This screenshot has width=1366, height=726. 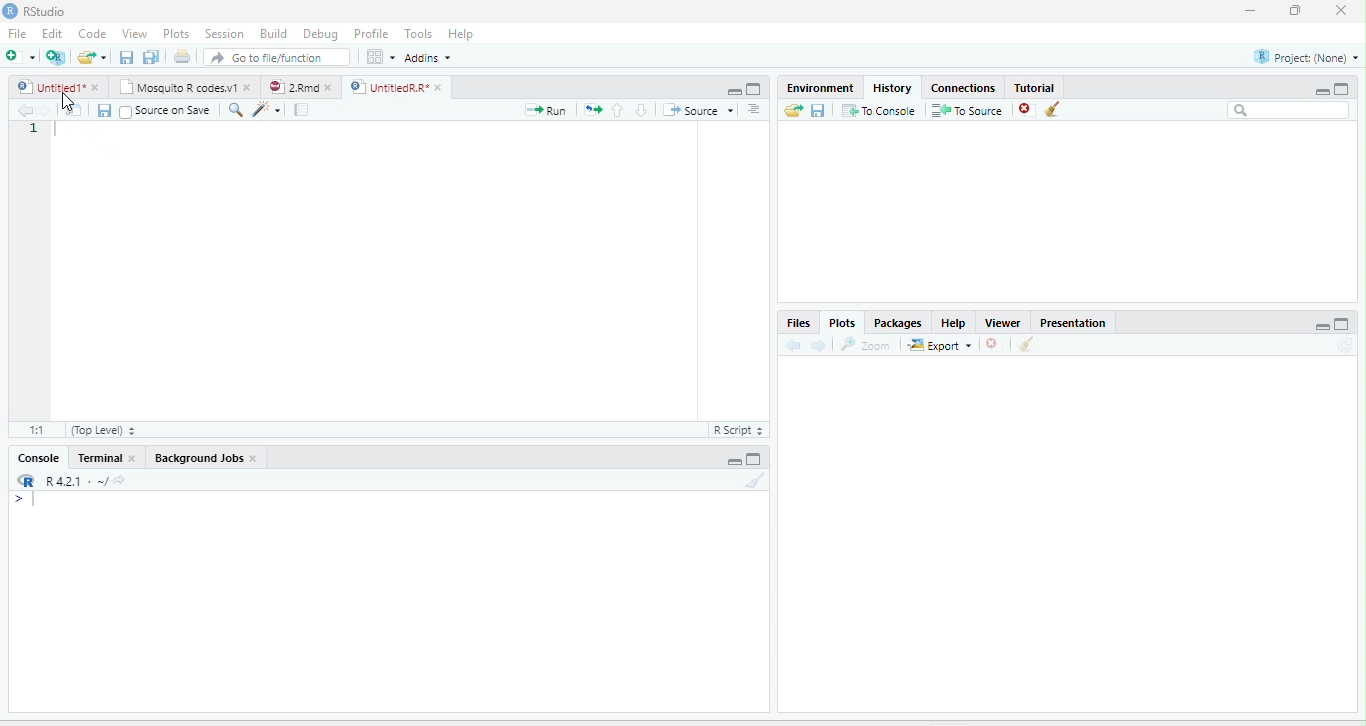 What do you see at coordinates (151, 56) in the screenshot?
I see `Save all open documents` at bounding box center [151, 56].